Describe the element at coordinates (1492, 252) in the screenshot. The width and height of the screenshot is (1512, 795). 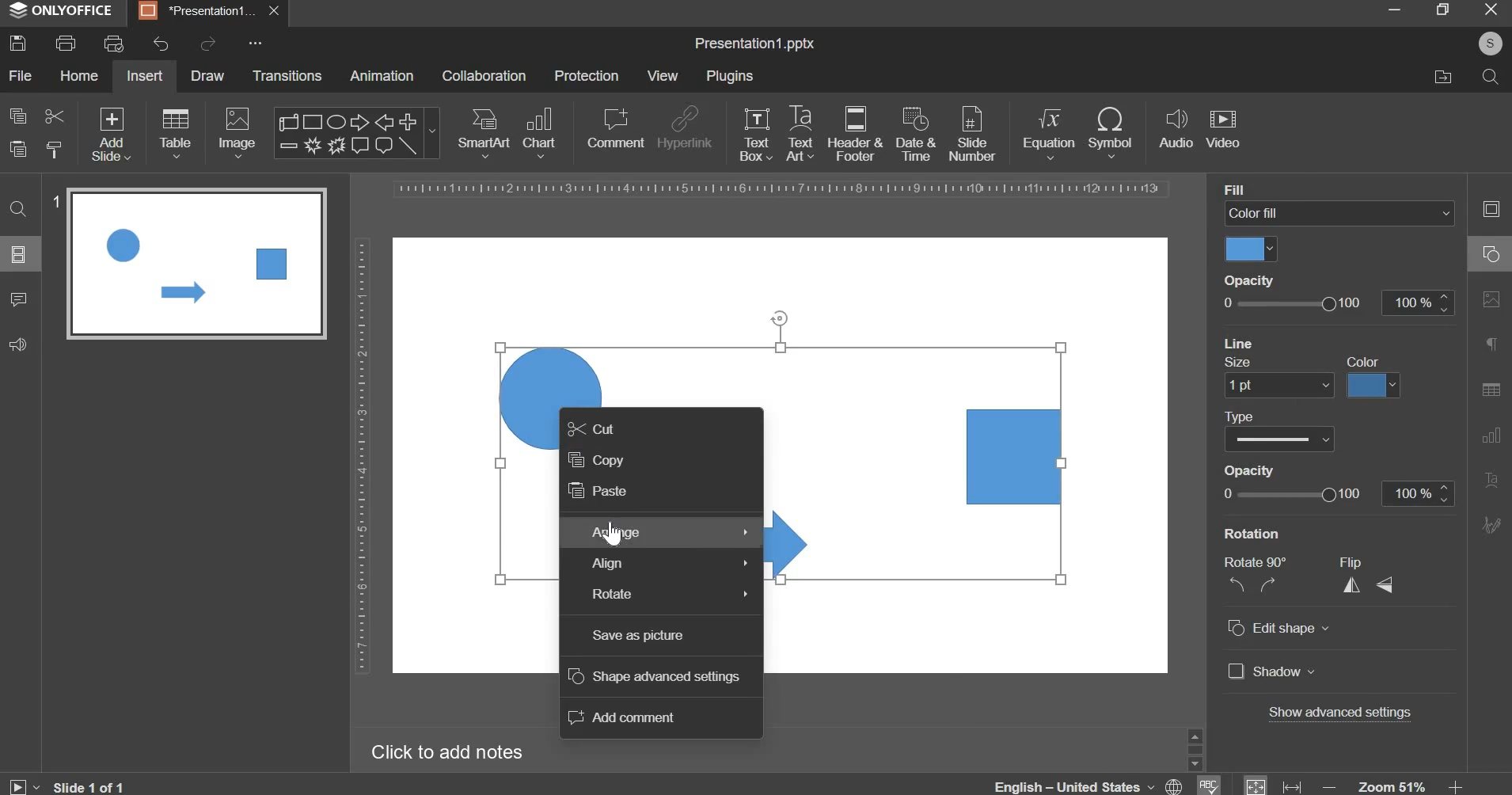
I see `shape setting` at that location.